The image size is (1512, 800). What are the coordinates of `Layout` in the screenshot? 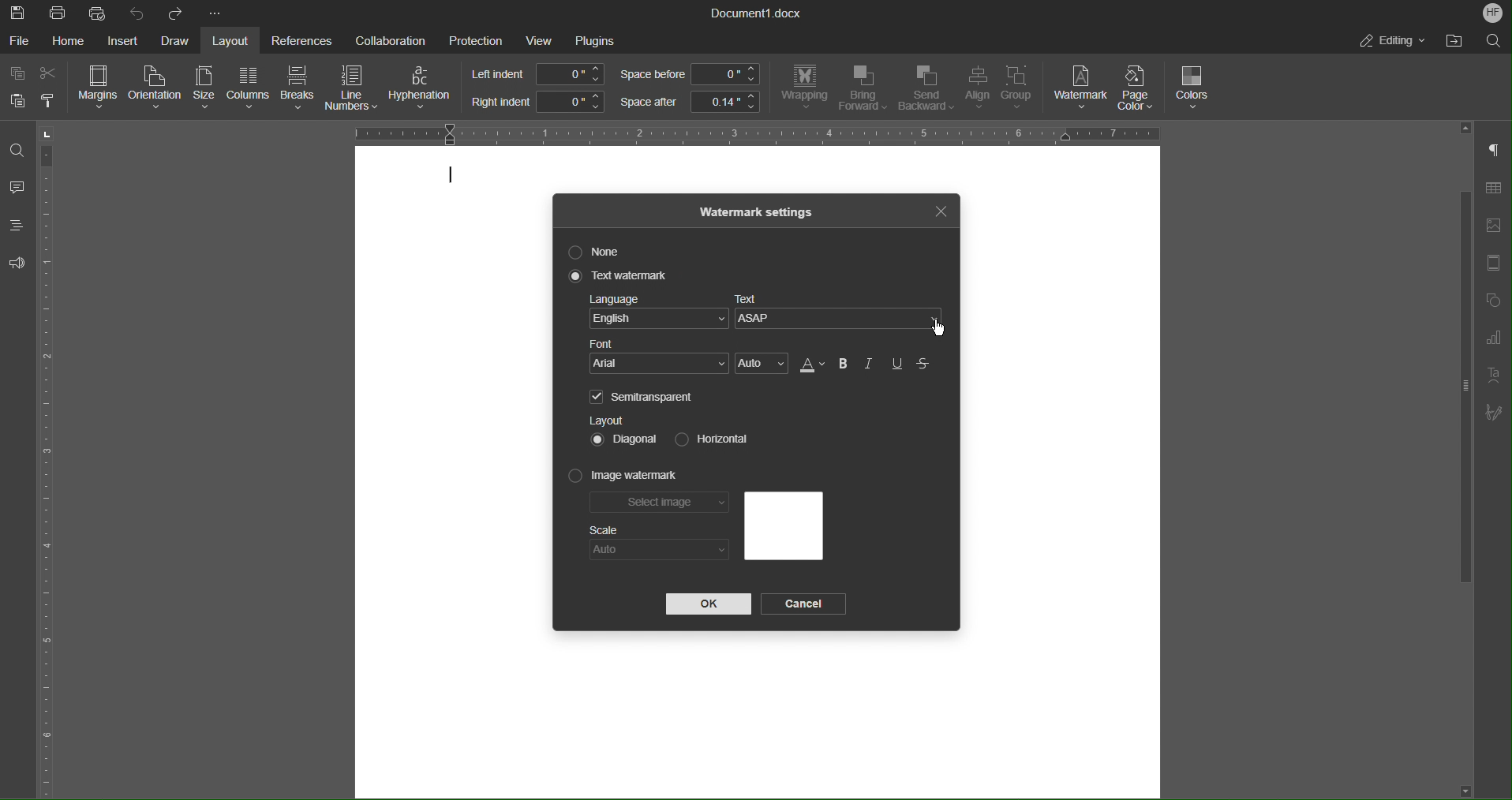 It's located at (607, 420).